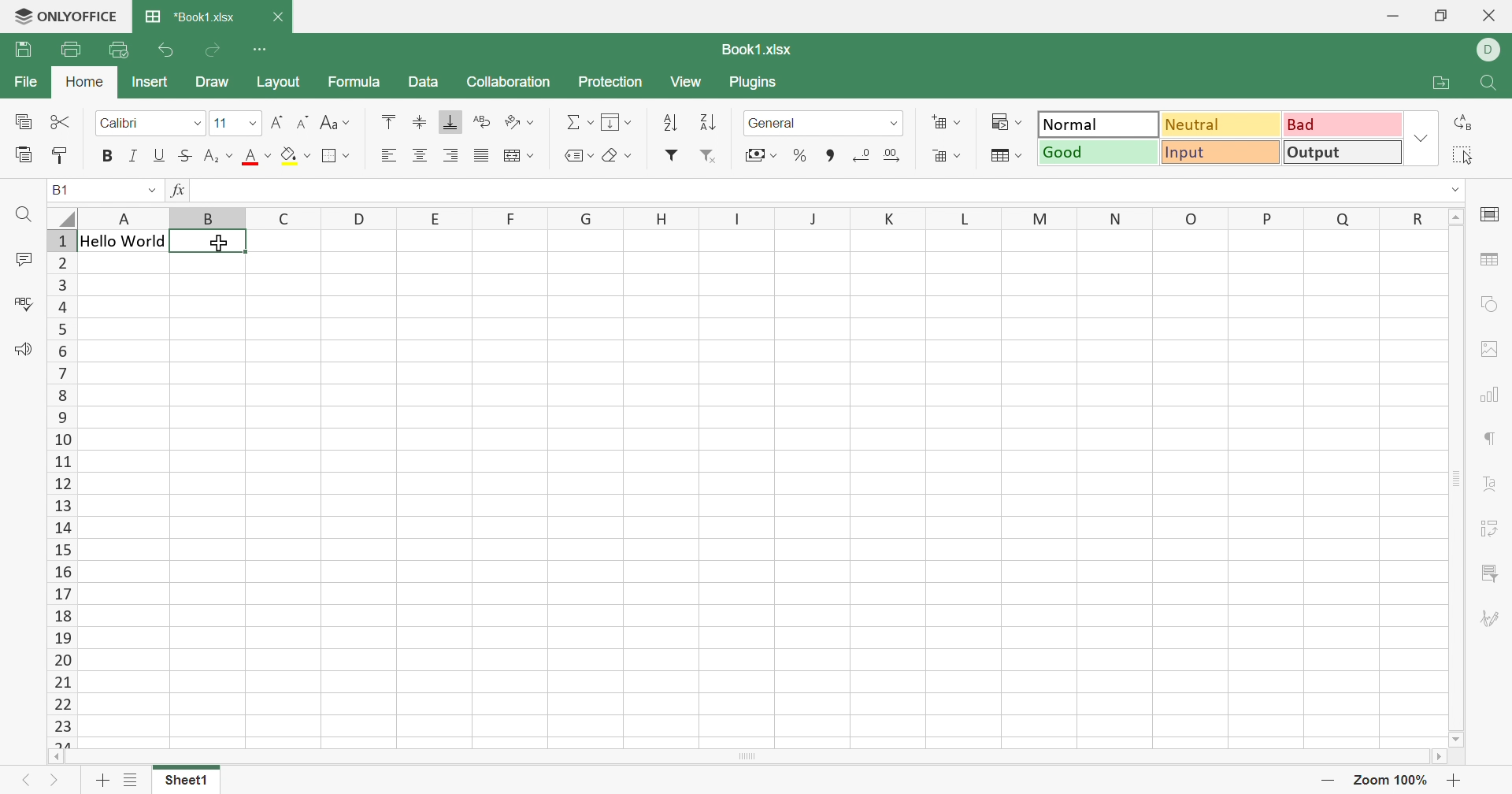  What do you see at coordinates (108, 155) in the screenshot?
I see `Bold` at bounding box center [108, 155].